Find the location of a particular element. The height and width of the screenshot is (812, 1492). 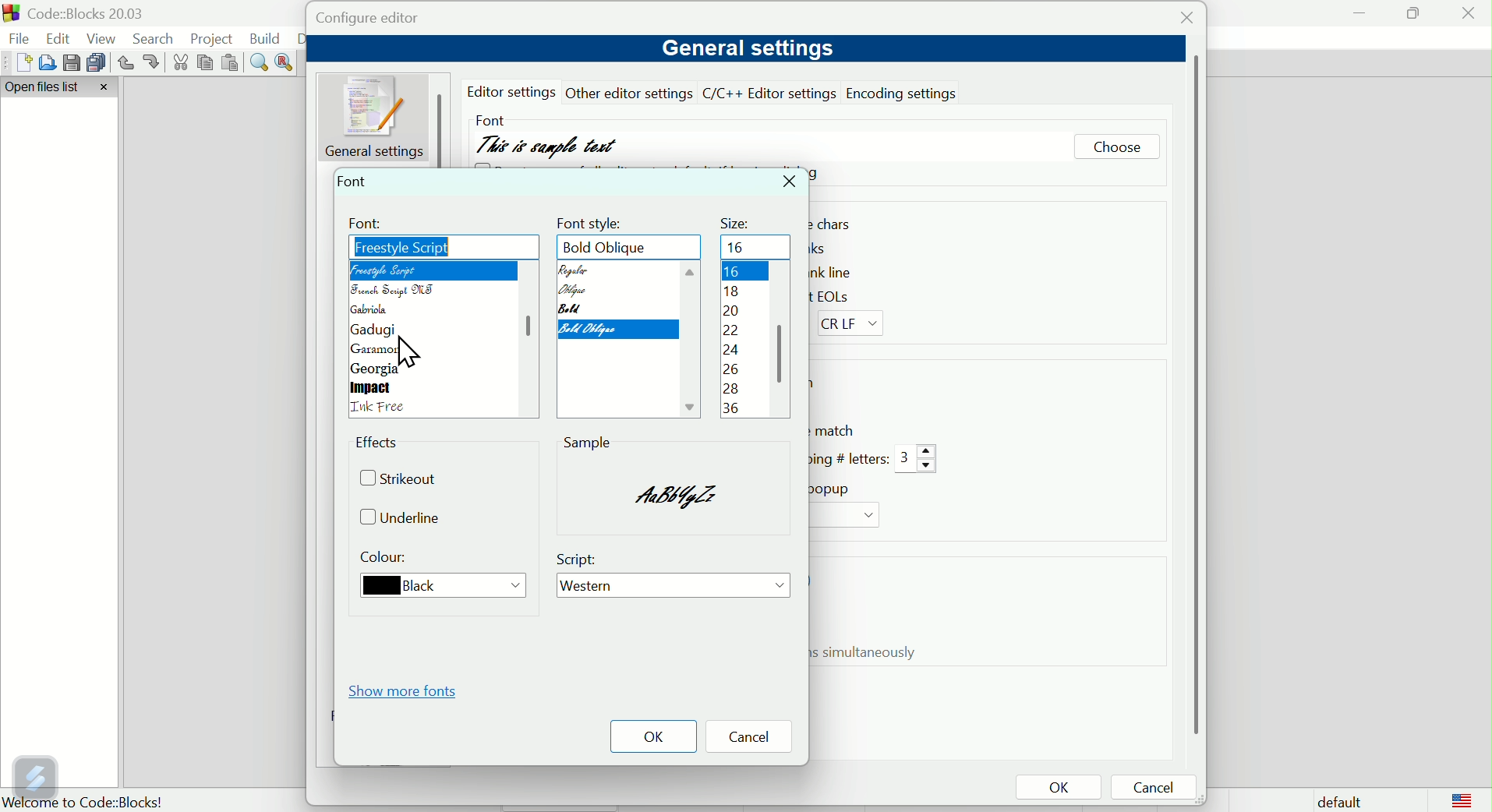

gadugi is located at coordinates (371, 330).